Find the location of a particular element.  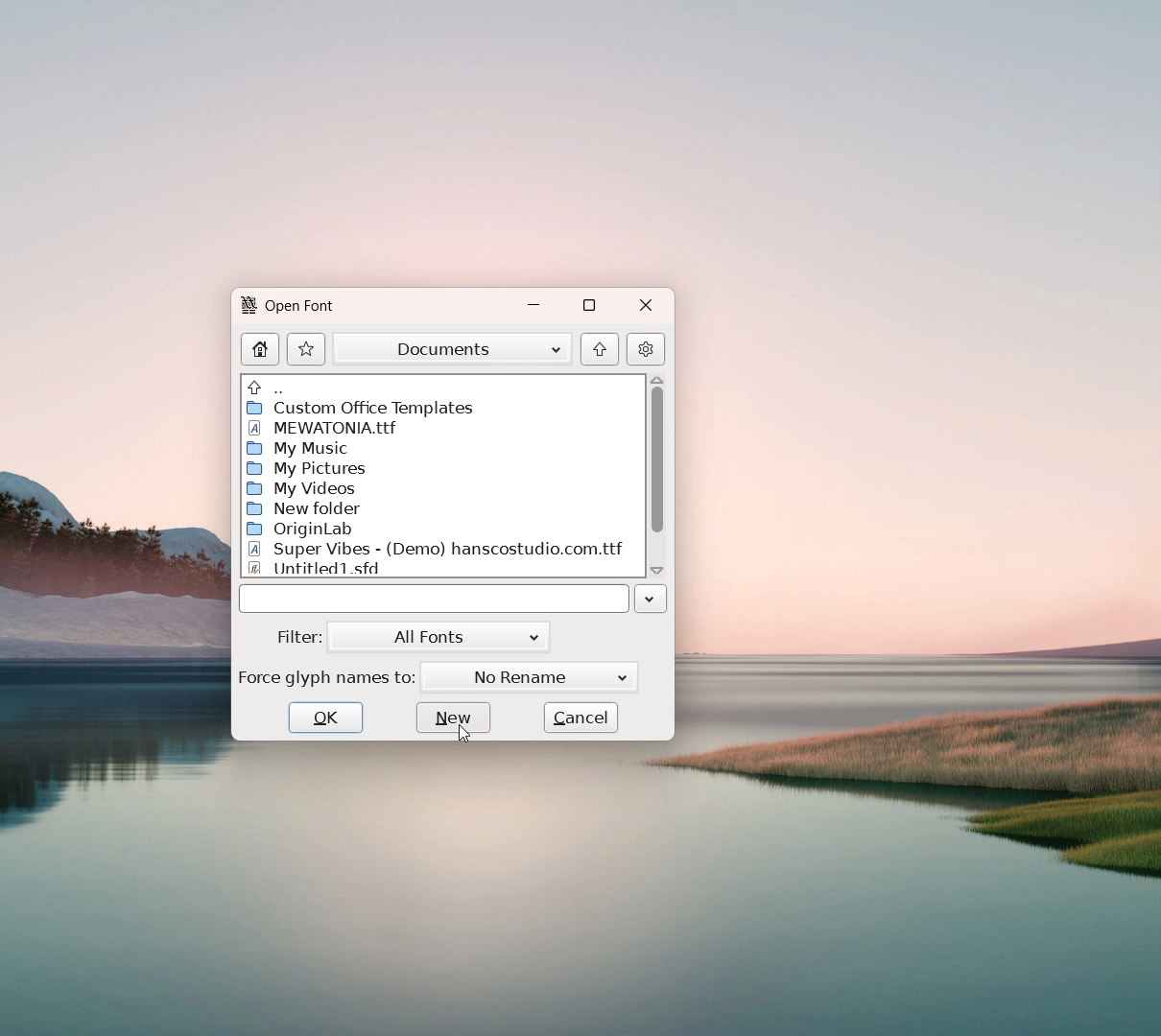

home is located at coordinates (260, 349).